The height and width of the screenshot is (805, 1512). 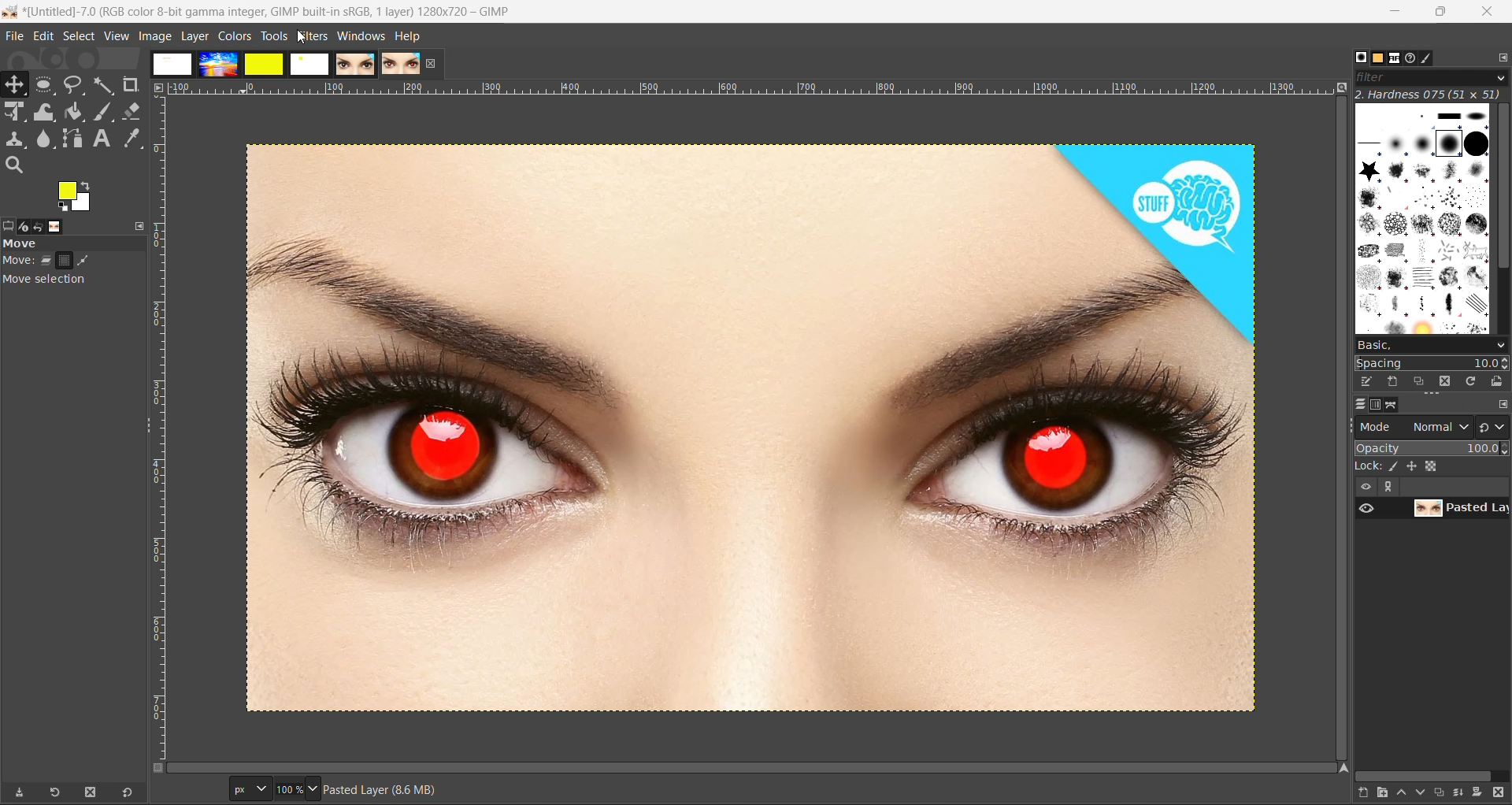 I want to click on images, so click(x=61, y=226).